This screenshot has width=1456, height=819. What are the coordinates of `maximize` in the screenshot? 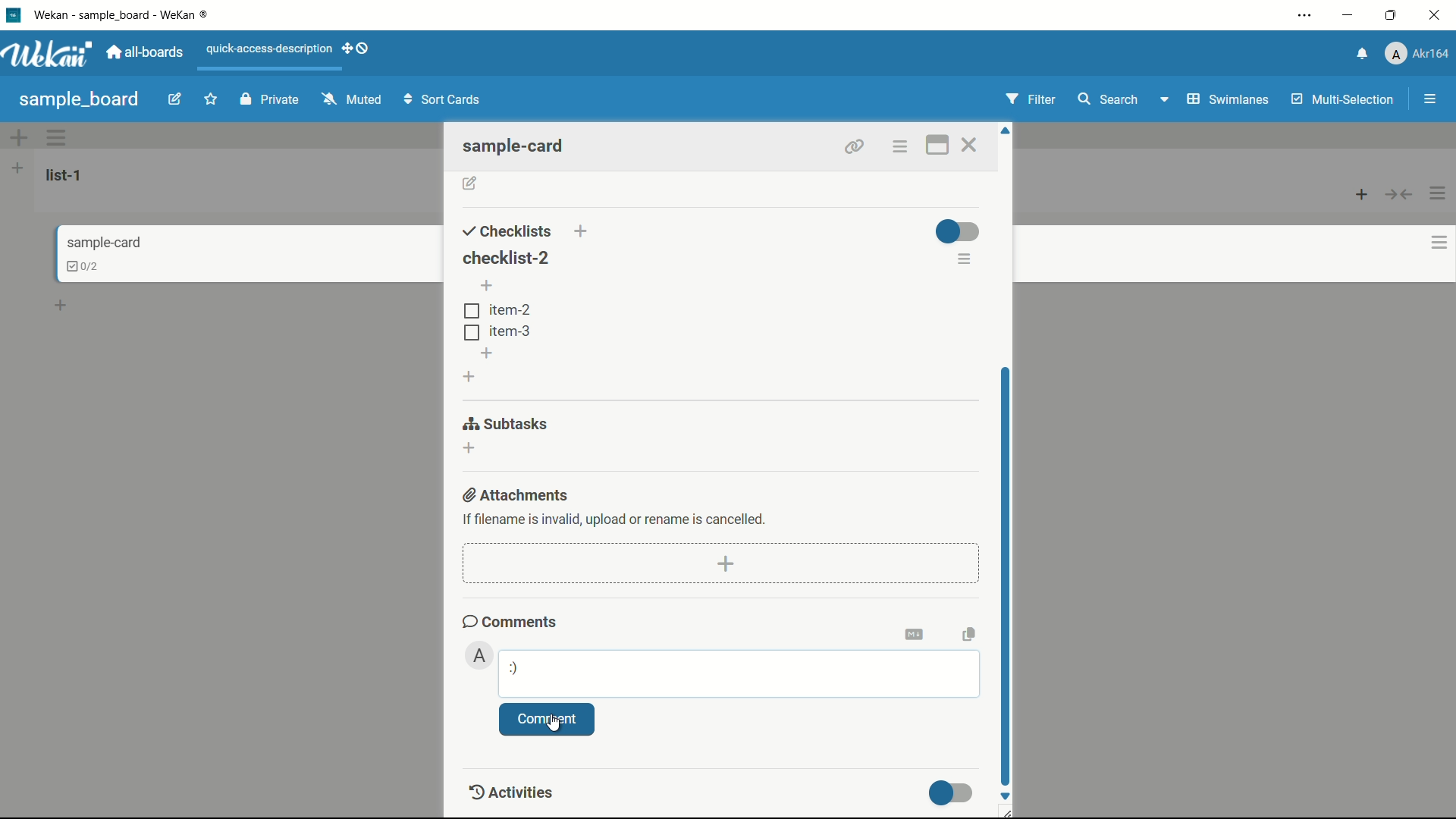 It's located at (1392, 14).